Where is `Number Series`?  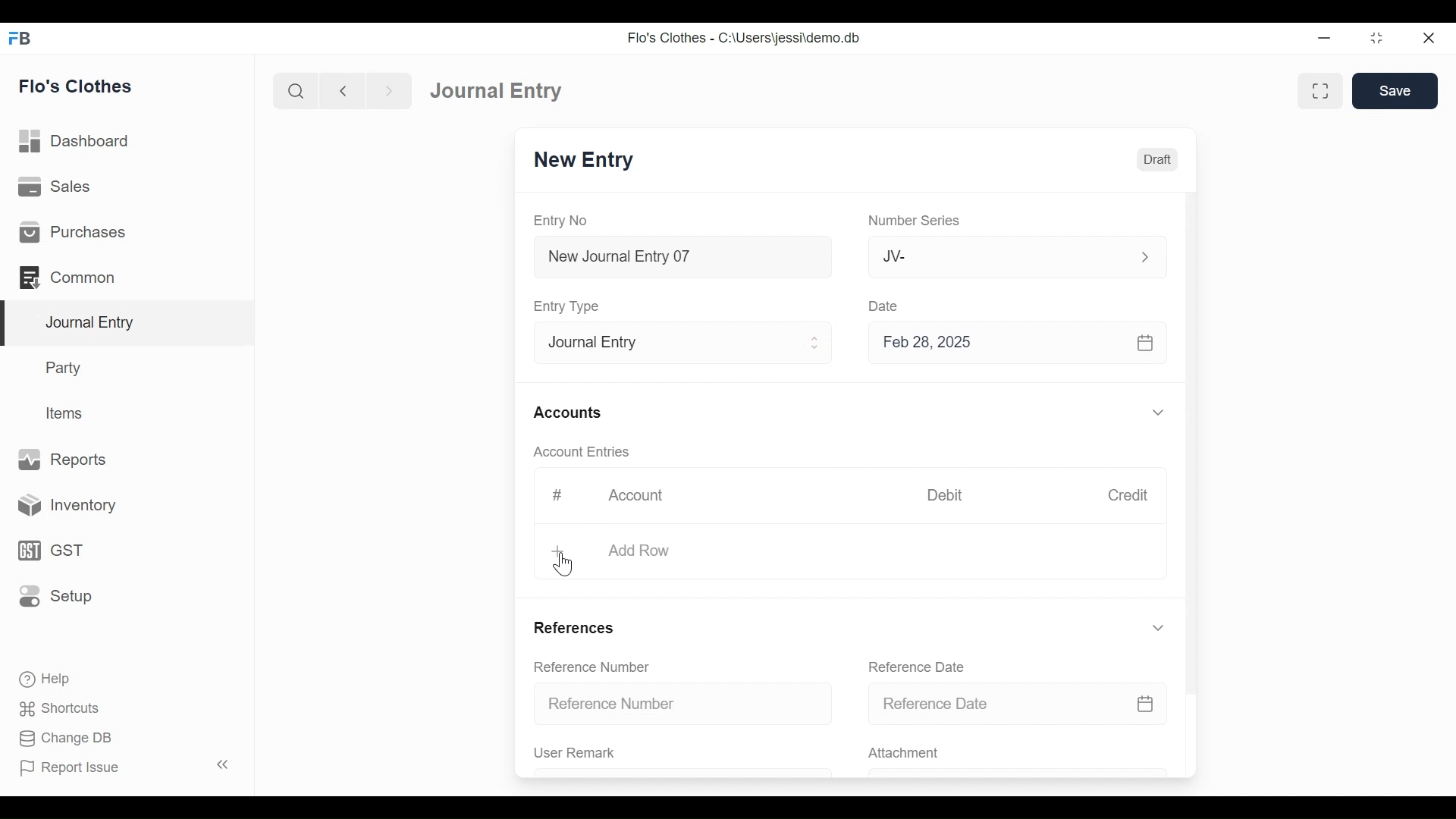 Number Series is located at coordinates (915, 221).